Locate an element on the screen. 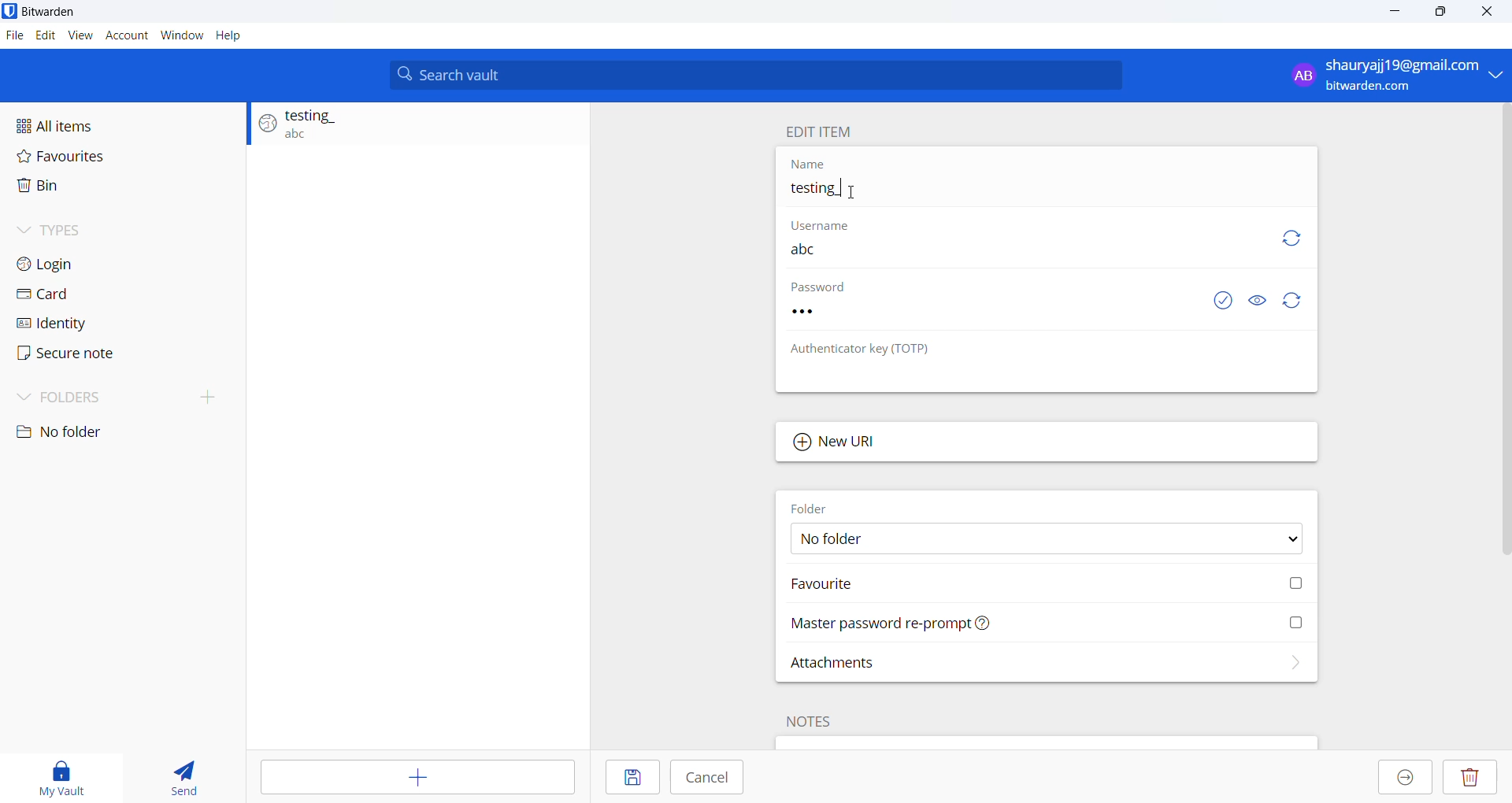 The width and height of the screenshot is (1512, 803). Scroll bar is located at coordinates (1503, 336).